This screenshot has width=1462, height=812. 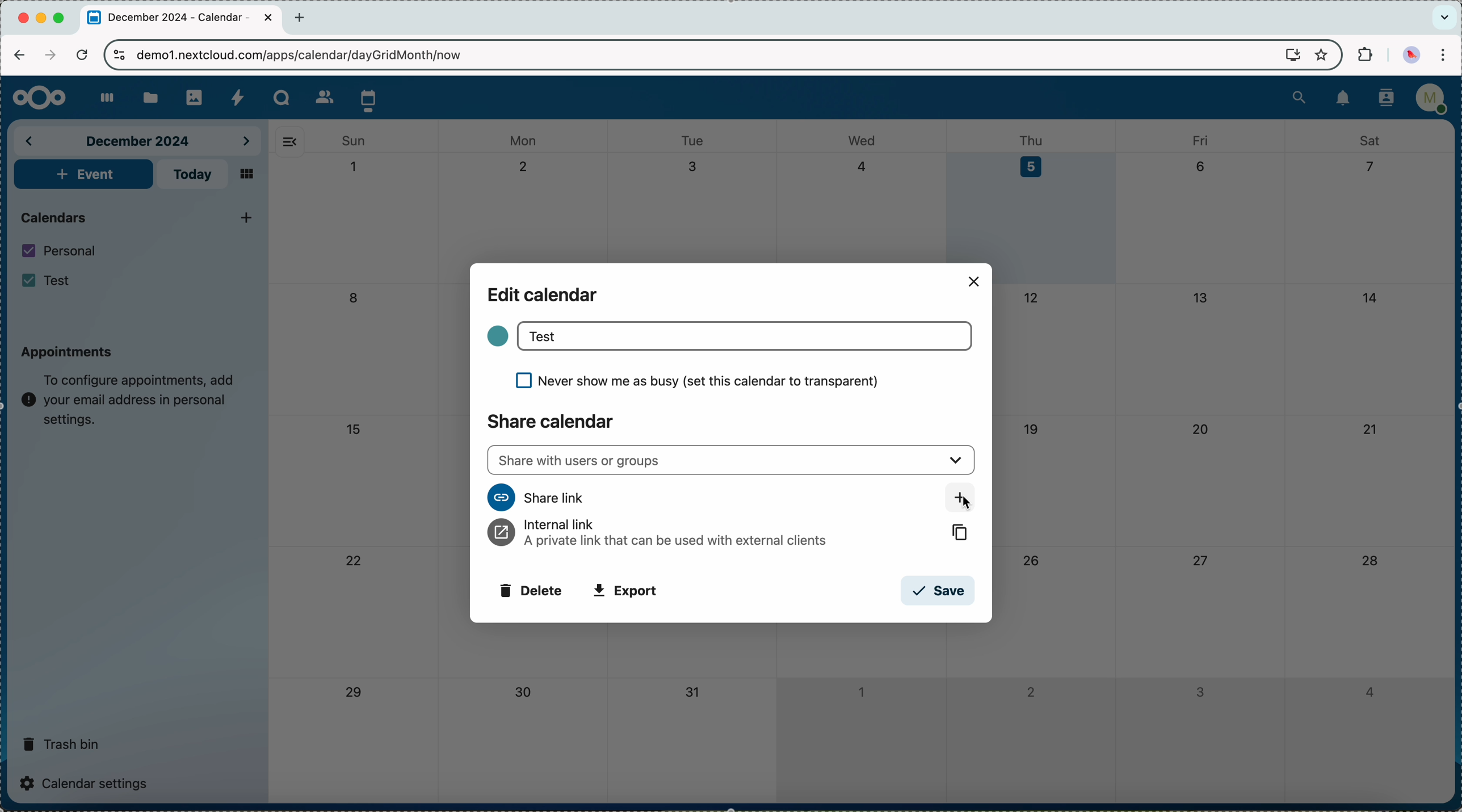 What do you see at coordinates (544, 294) in the screenshot?
I see `edit calendar` at bounding box center [544, 294].